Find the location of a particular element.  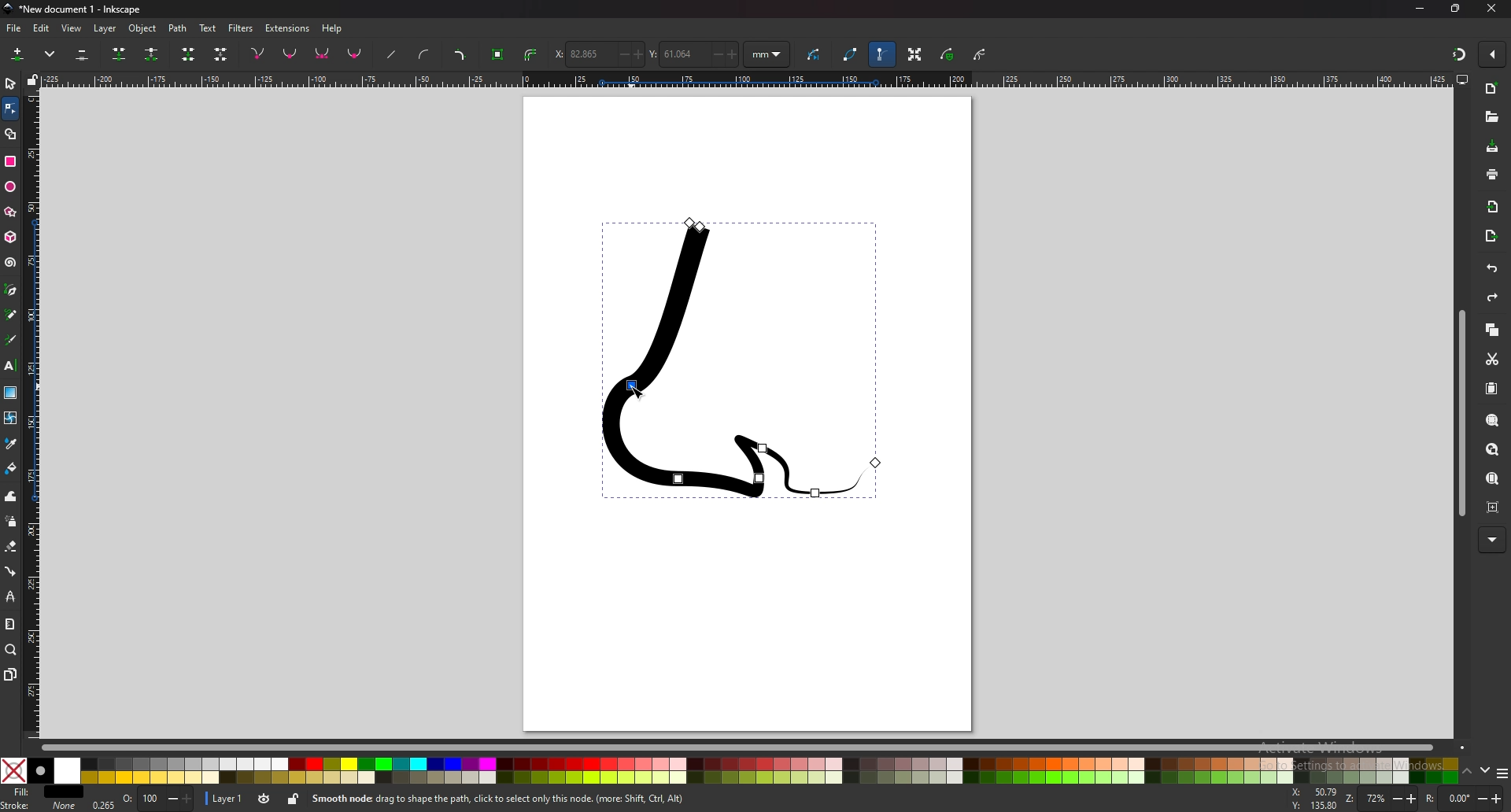

pencil is located at coordinates (11, 316).